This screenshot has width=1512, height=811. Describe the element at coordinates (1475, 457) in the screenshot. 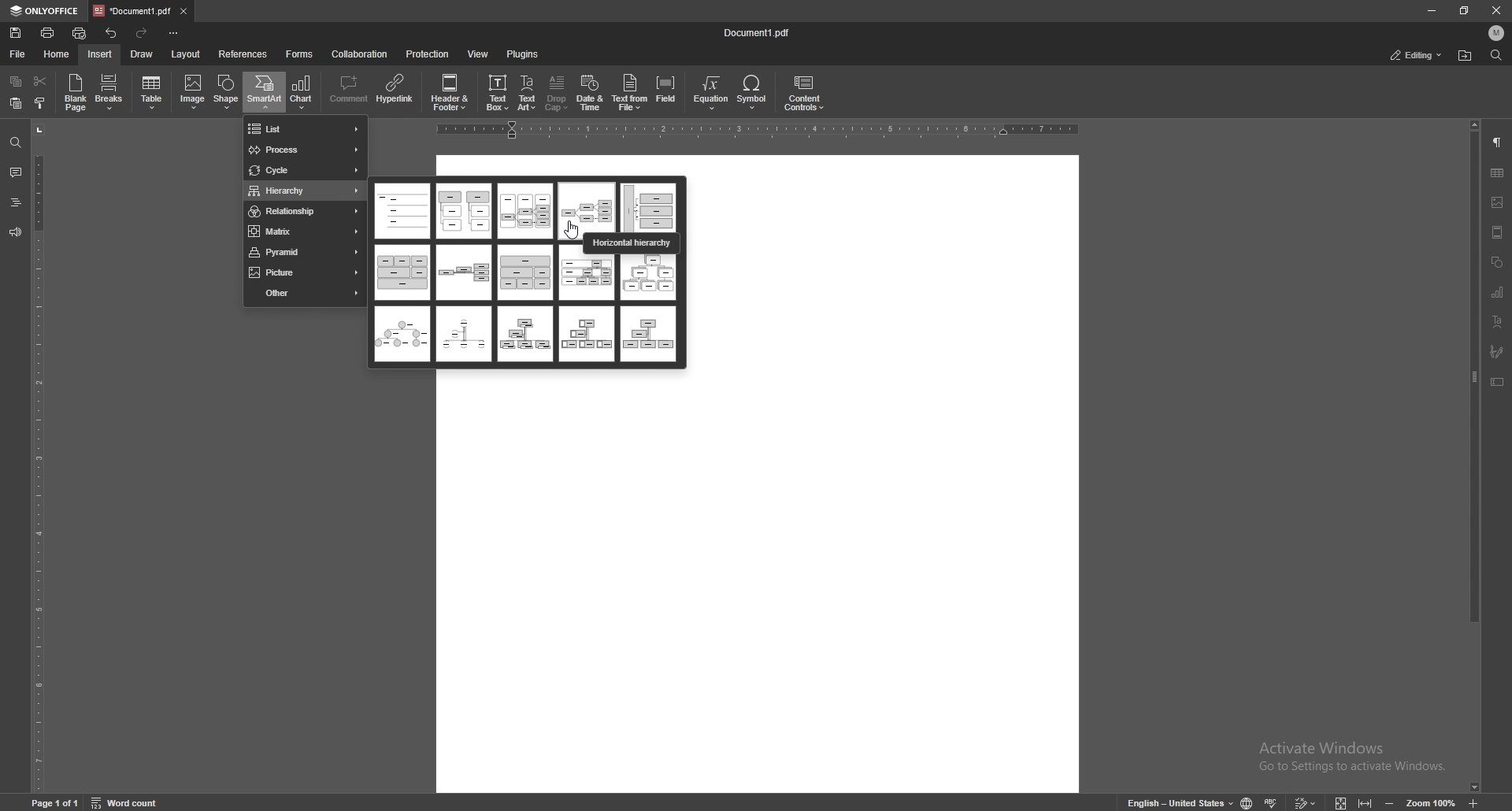

I see `scroll bar` at that location.